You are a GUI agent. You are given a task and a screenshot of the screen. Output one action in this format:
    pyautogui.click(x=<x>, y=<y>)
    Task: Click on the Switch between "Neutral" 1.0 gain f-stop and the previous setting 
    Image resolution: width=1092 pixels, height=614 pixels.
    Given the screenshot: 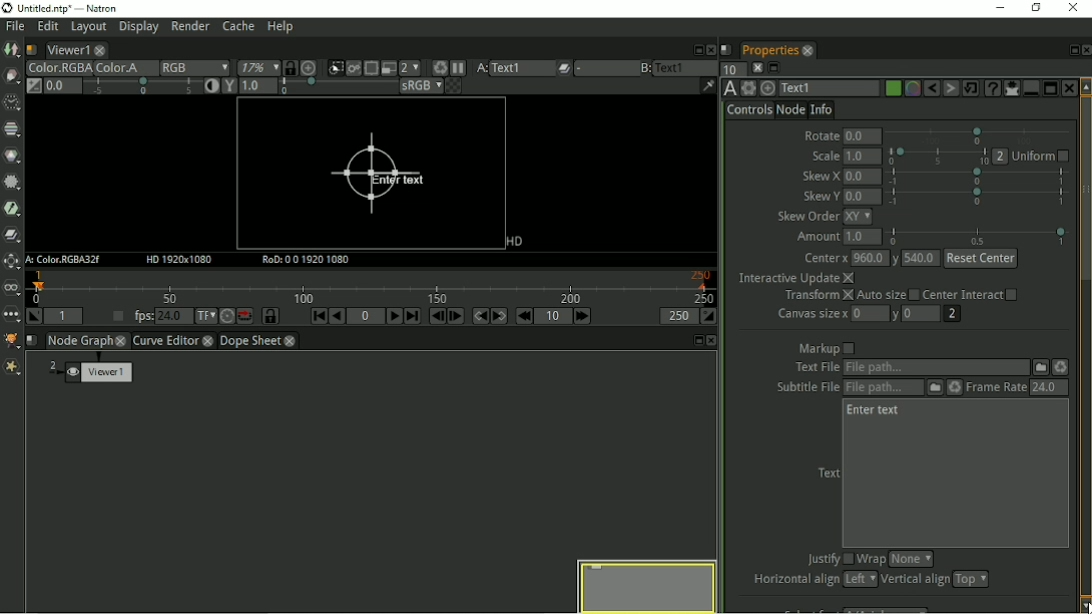 What is the action you would take?
    pyautogui.click(x=33, y=86)
    